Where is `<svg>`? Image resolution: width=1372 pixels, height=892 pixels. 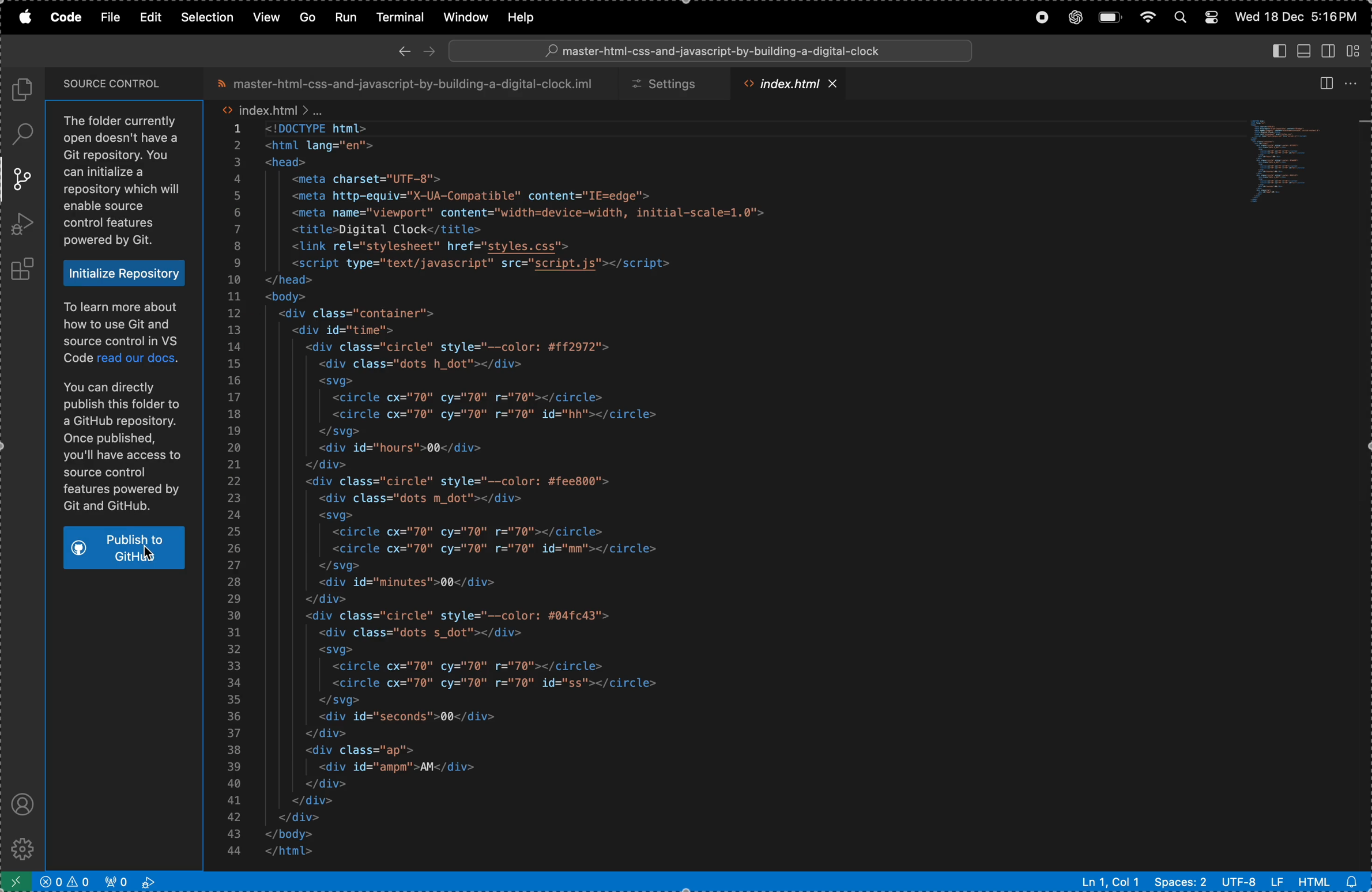
<svg> is located at coordinates (342, 515).